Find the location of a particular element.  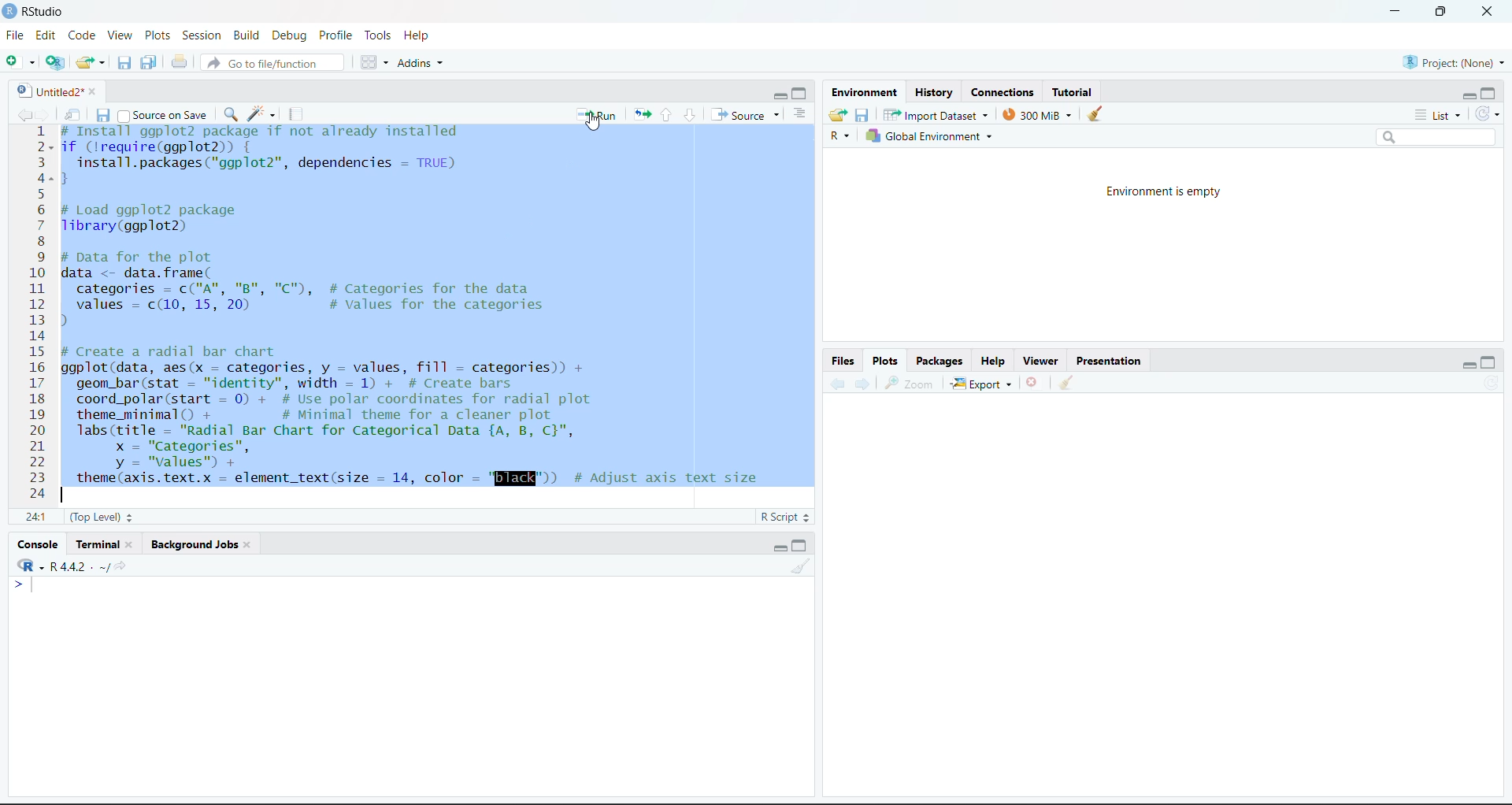

Plots is located at coordinates (887, 361).